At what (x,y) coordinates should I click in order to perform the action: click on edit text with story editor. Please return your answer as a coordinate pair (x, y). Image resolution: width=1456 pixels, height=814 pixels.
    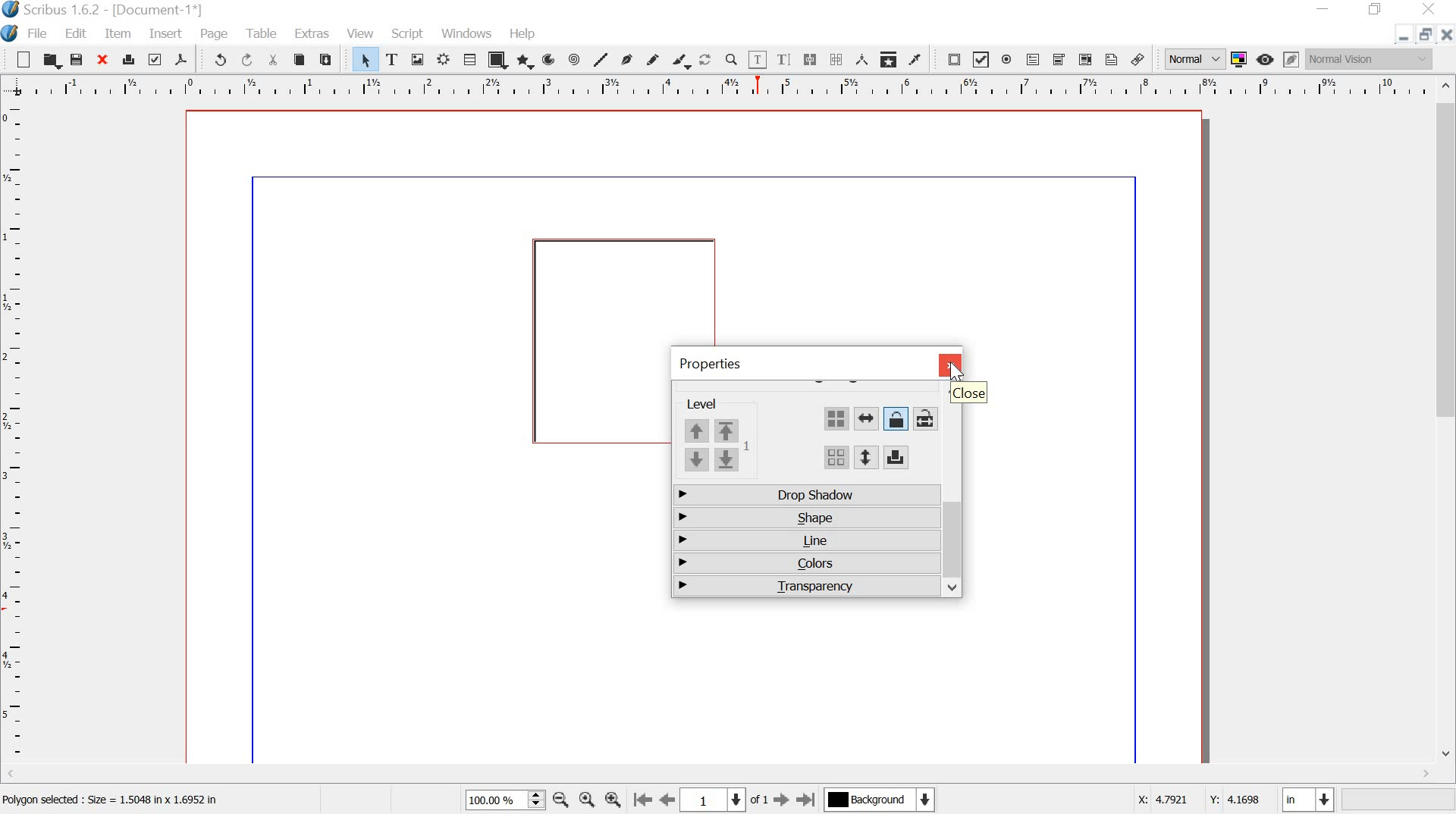
    Looking at the image, I should click on (783, 58).